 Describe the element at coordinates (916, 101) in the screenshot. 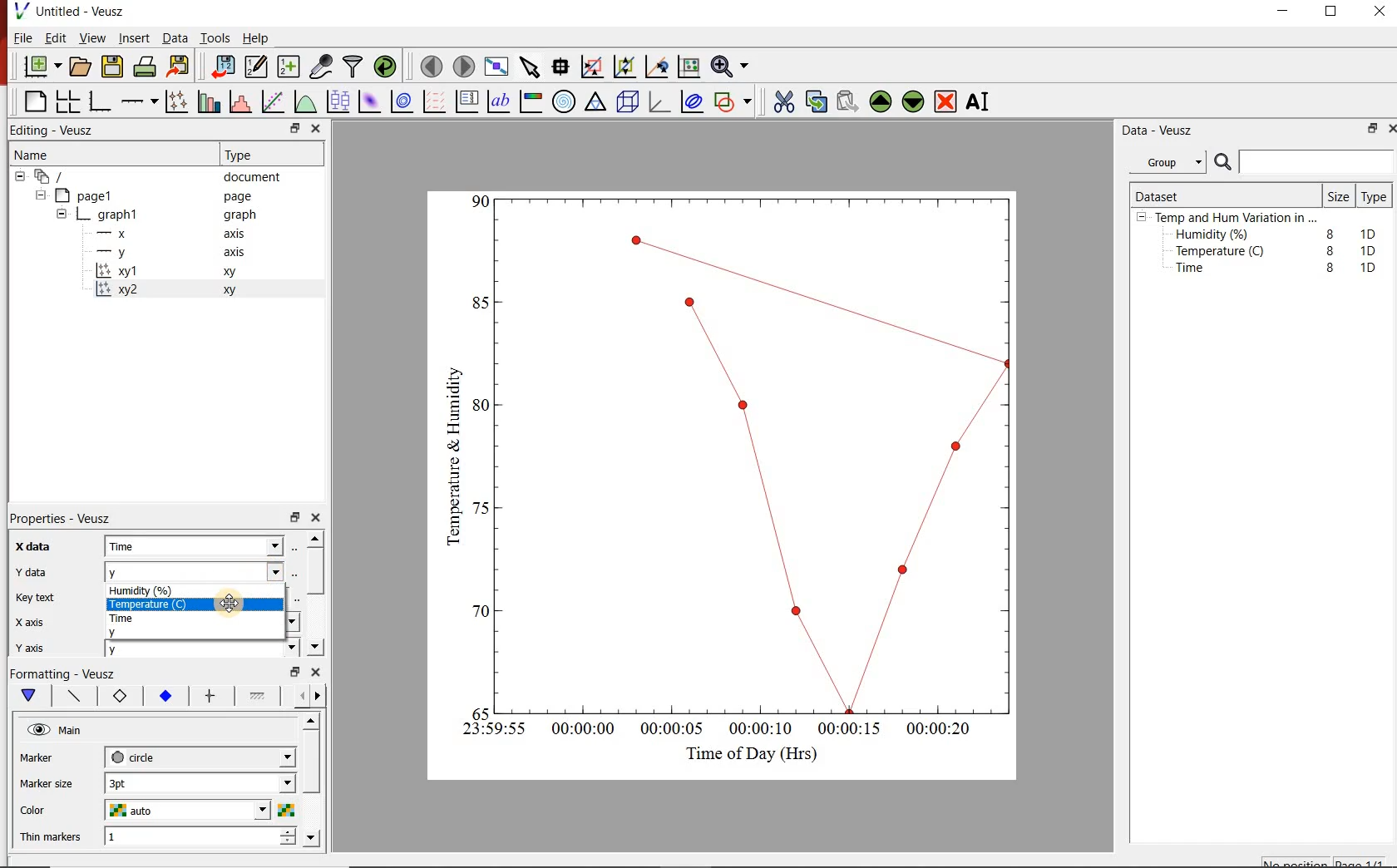

I see `Move the selected widget down` at that location.